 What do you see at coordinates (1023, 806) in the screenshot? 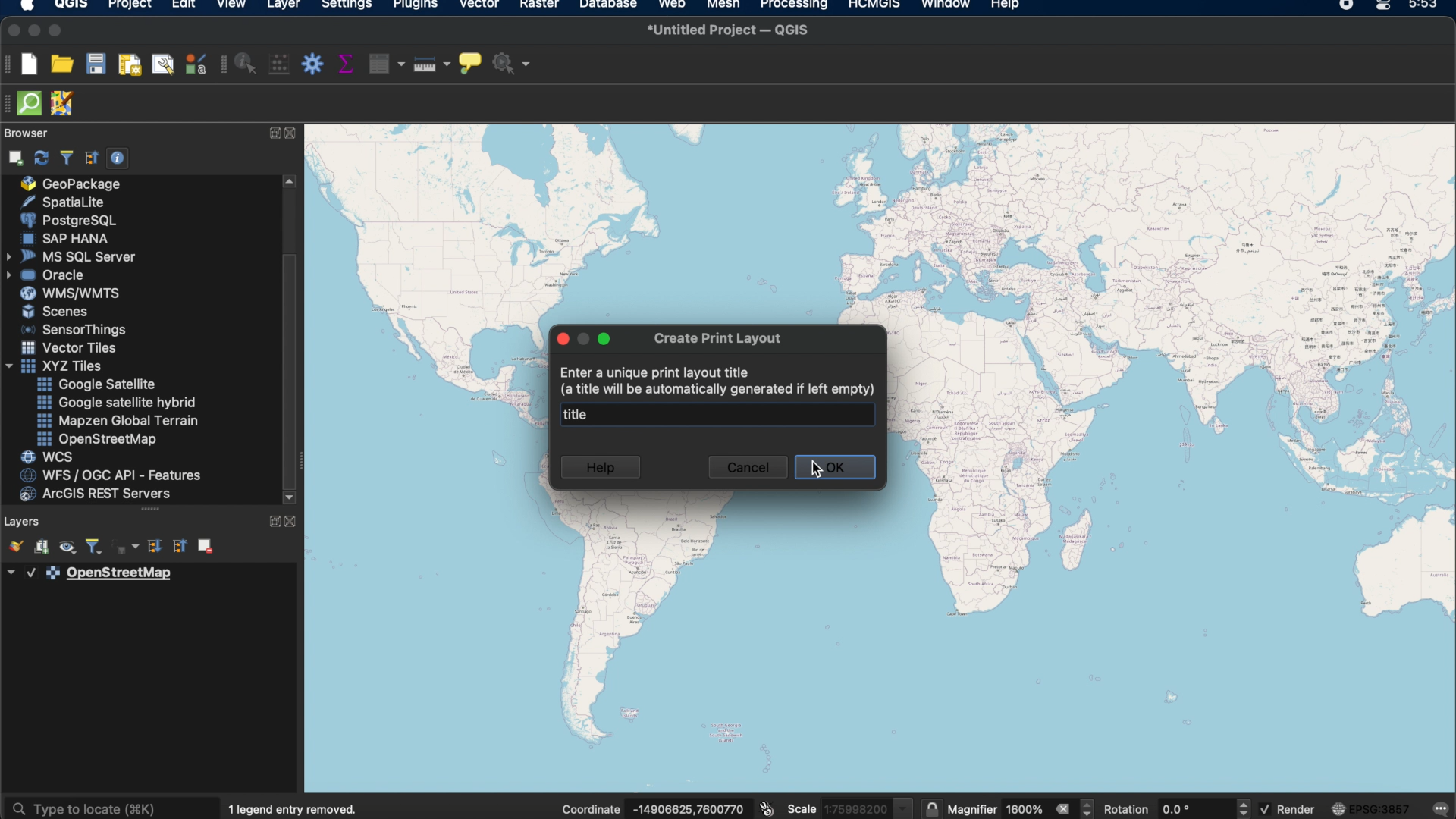
I see `magnifier` at bounding box center [1023, 806].